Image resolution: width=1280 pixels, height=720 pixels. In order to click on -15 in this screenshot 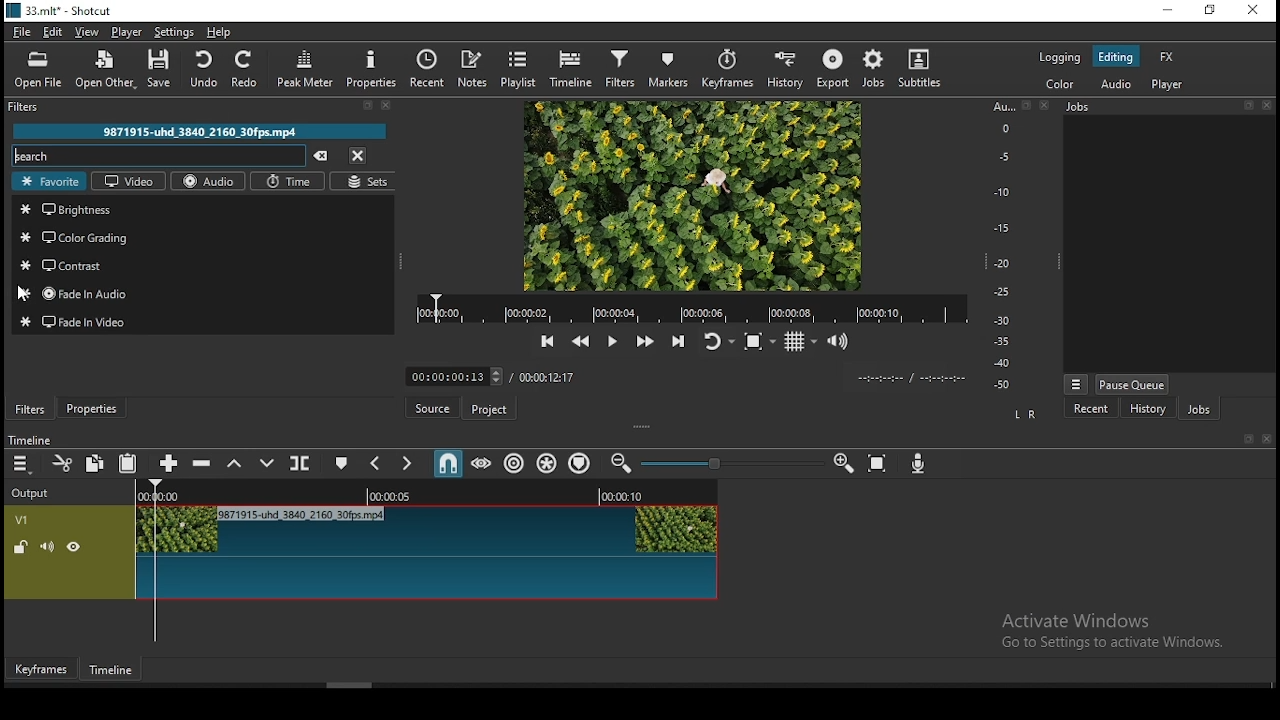, I will do `click(1003, 227)`.